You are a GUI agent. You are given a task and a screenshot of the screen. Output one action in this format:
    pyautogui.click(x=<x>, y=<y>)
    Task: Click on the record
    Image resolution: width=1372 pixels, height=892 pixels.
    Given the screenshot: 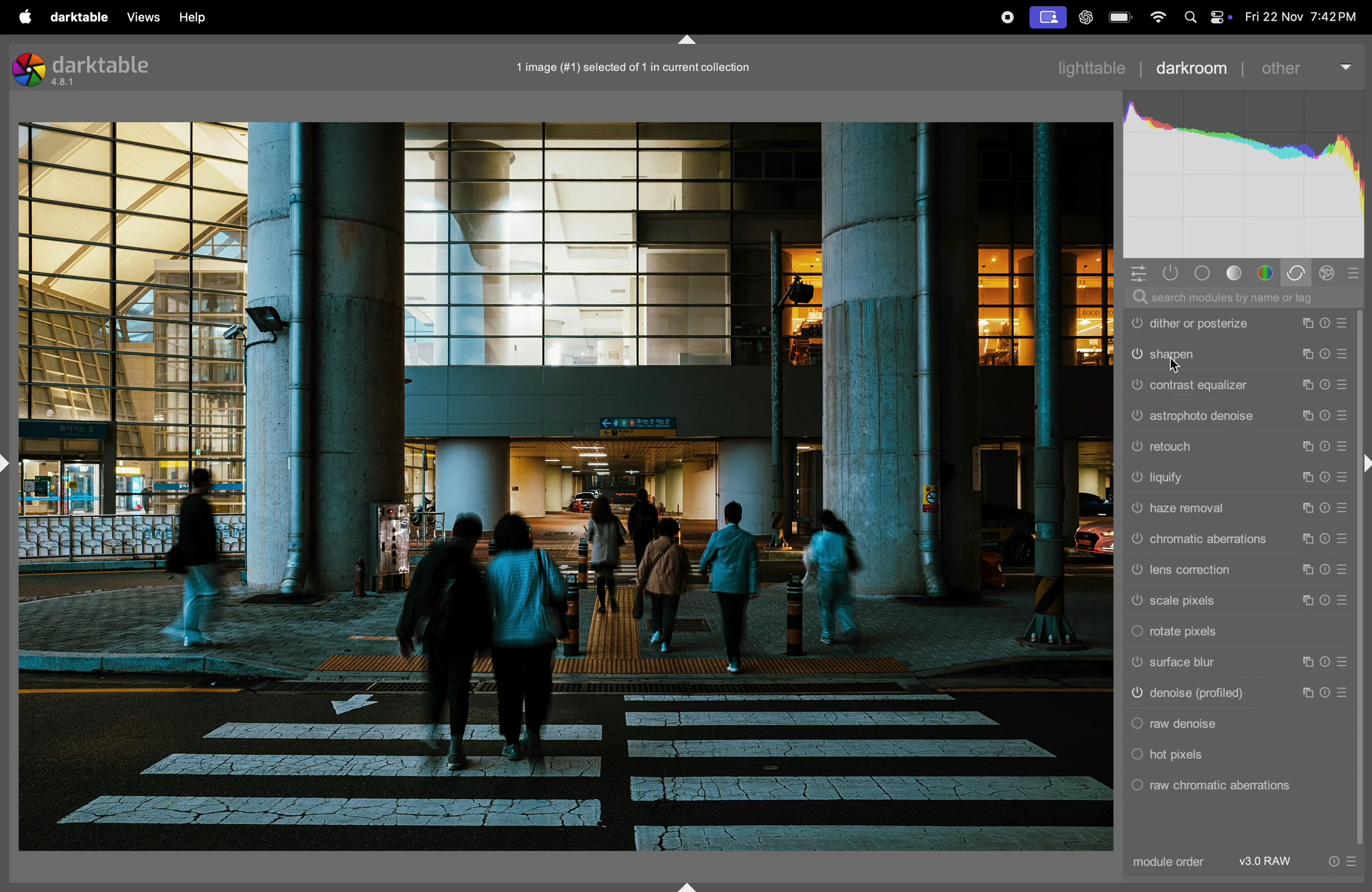 What is the action you would take?
    pyautogui.click(x=1007, y=17)
    